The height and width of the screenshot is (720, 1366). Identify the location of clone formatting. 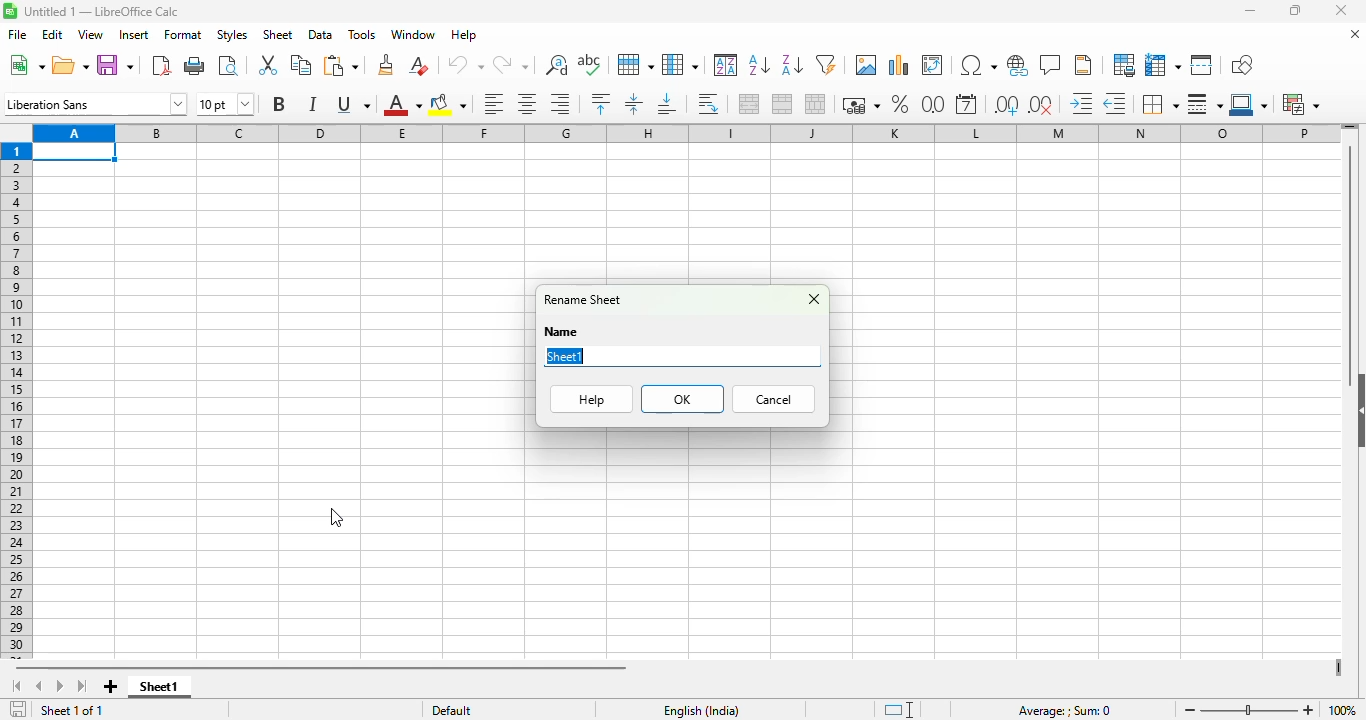
(387, 65).